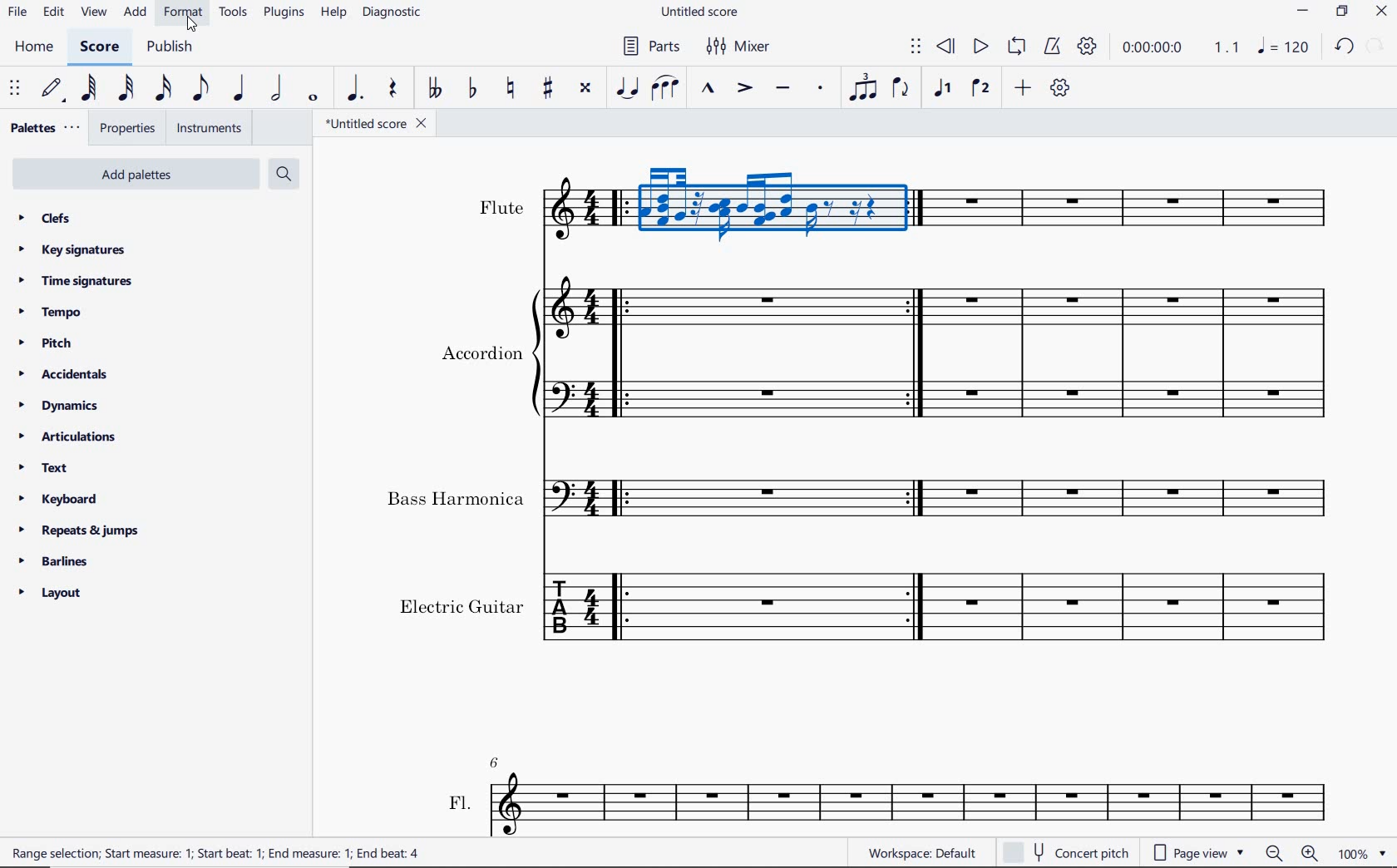 The width and height of the screenshot is (1397, 868). Describe the element at coordinates (905, 205) in the screenshot. I see `Instrument: Flute` at that location.